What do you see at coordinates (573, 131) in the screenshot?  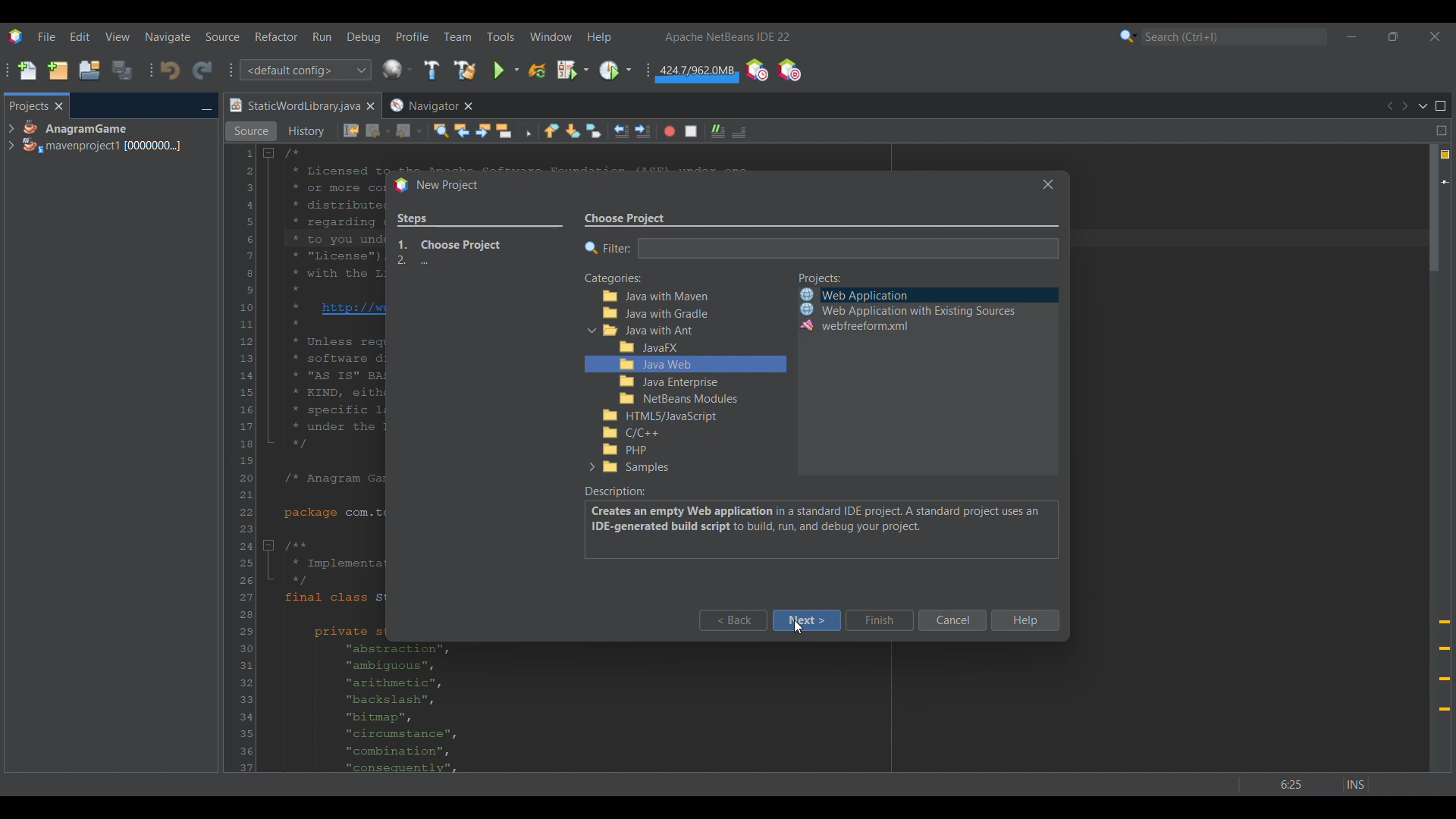 I see `Next bookmark` at bounding box center [573, 131].